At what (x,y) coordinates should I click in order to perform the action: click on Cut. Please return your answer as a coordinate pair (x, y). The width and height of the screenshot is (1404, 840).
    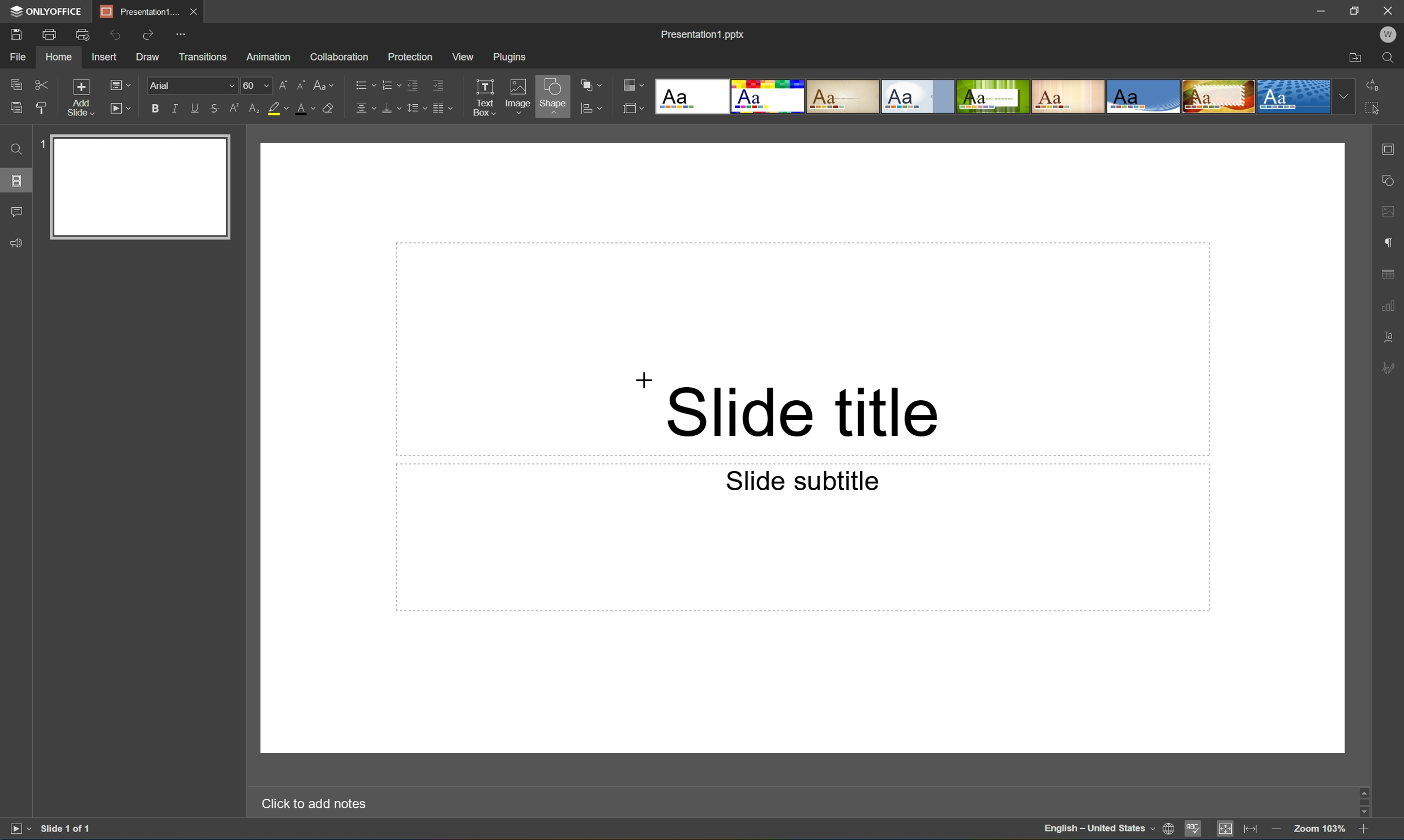
    Looking at the image, I should click on (40, 83).